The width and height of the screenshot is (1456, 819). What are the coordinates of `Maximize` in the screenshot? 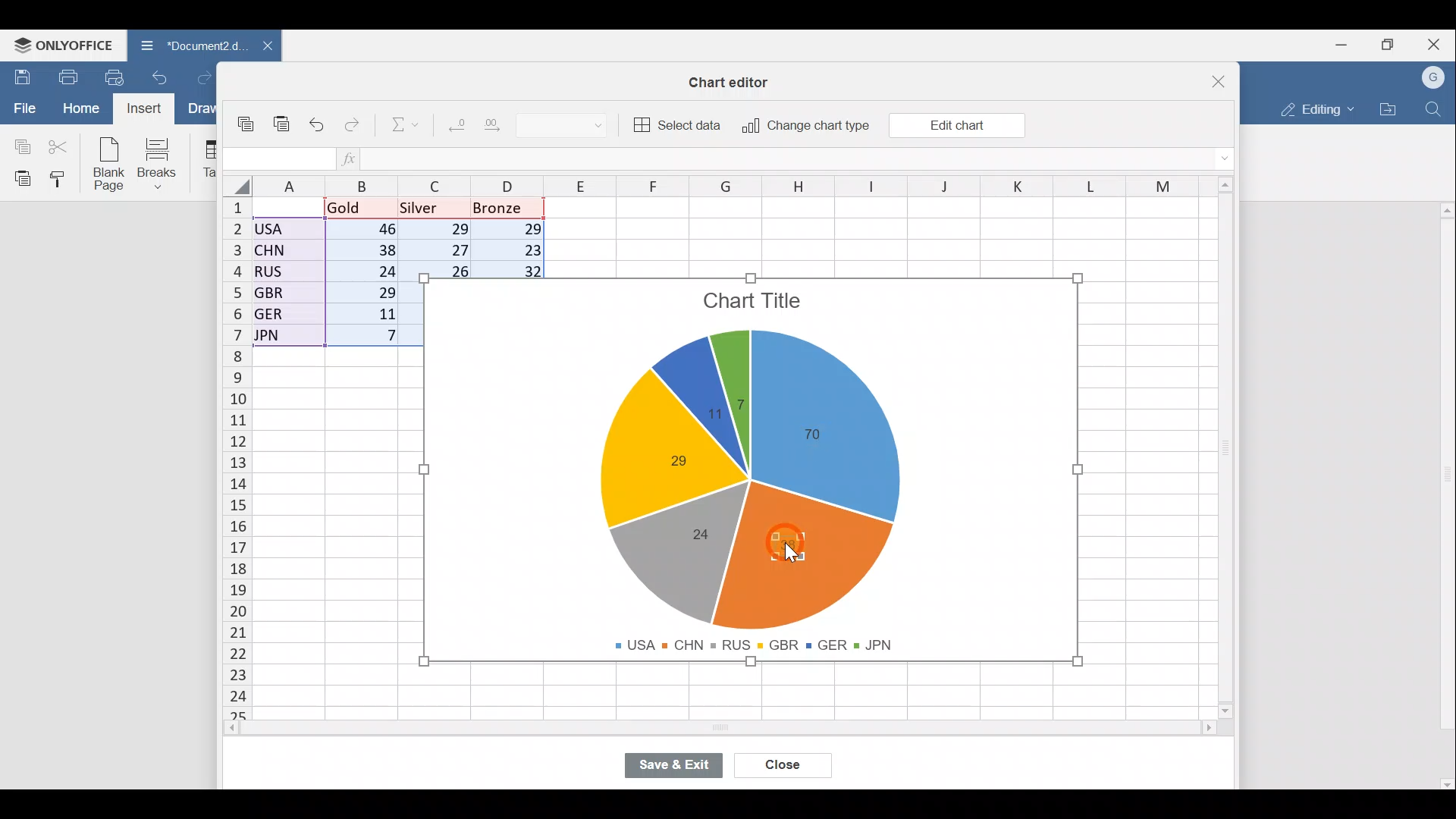 It's located at (1394, 43).